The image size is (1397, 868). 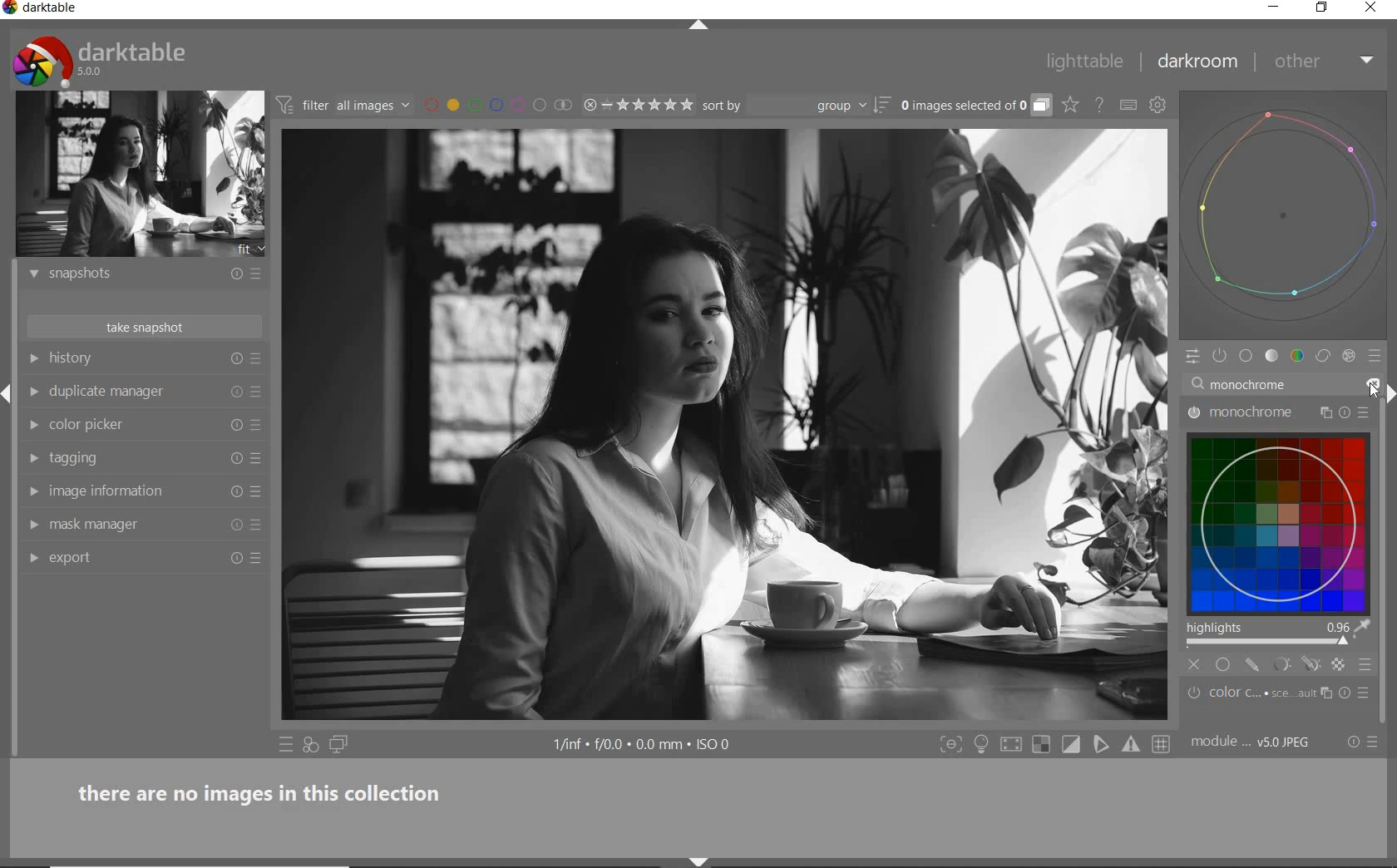 I want to click on duplicate manager, so click(x=133, y=392).